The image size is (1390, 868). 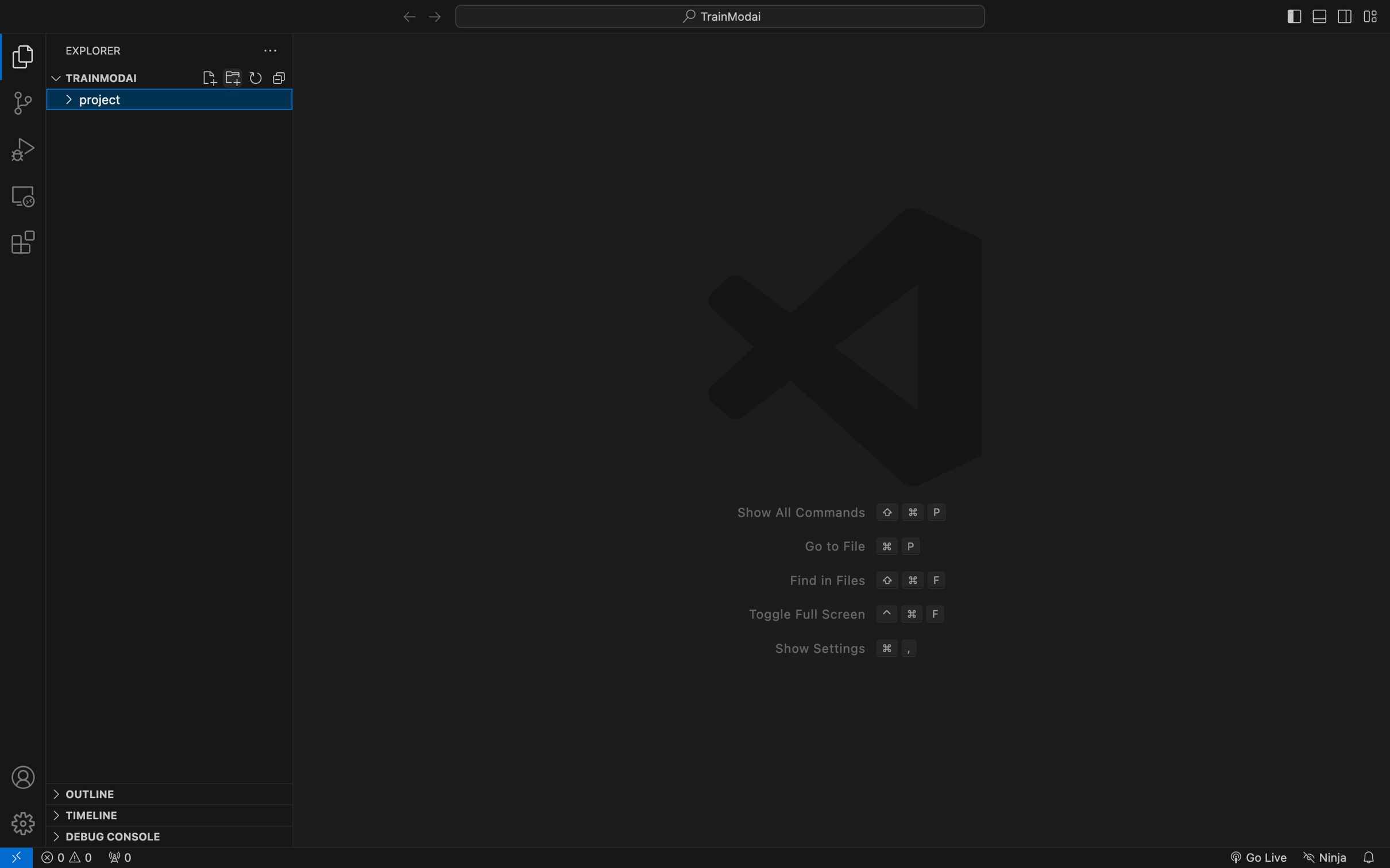 What do you see at coordinates (22, 103) in the screenshot?
I see `git tool` at bounding box center [22, 103].